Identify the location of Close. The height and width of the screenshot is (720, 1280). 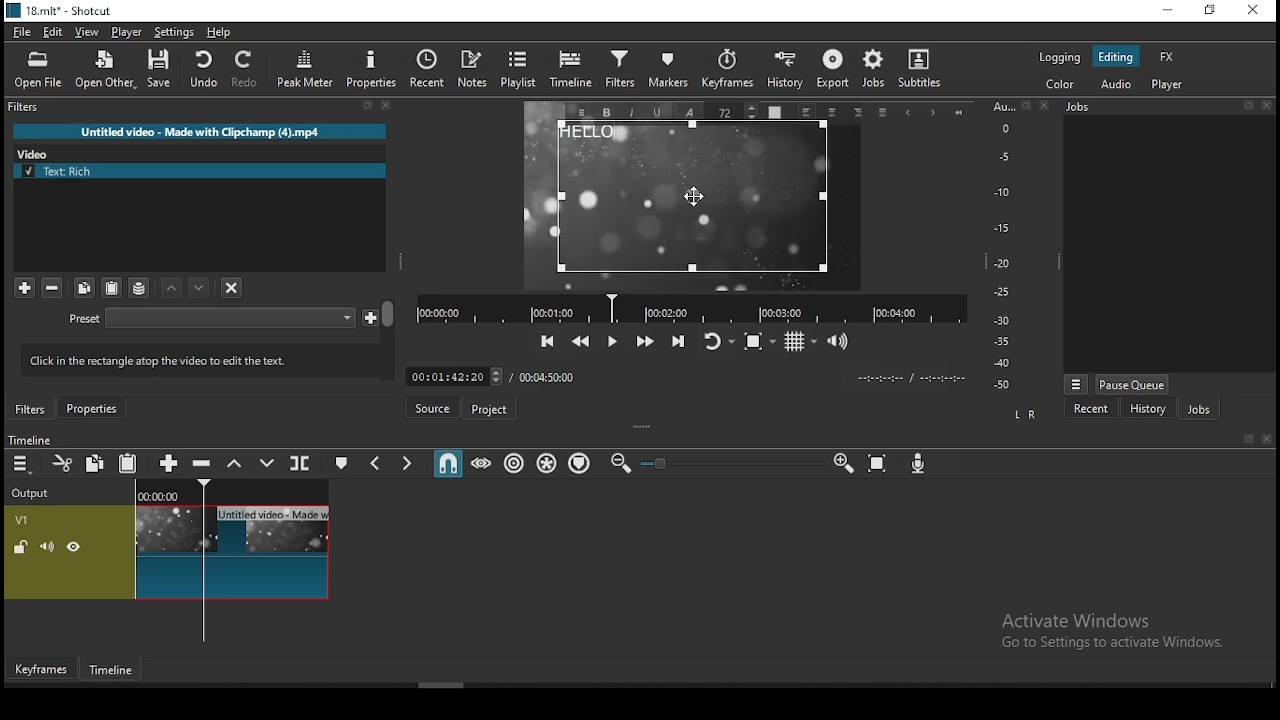
(1266, 439).